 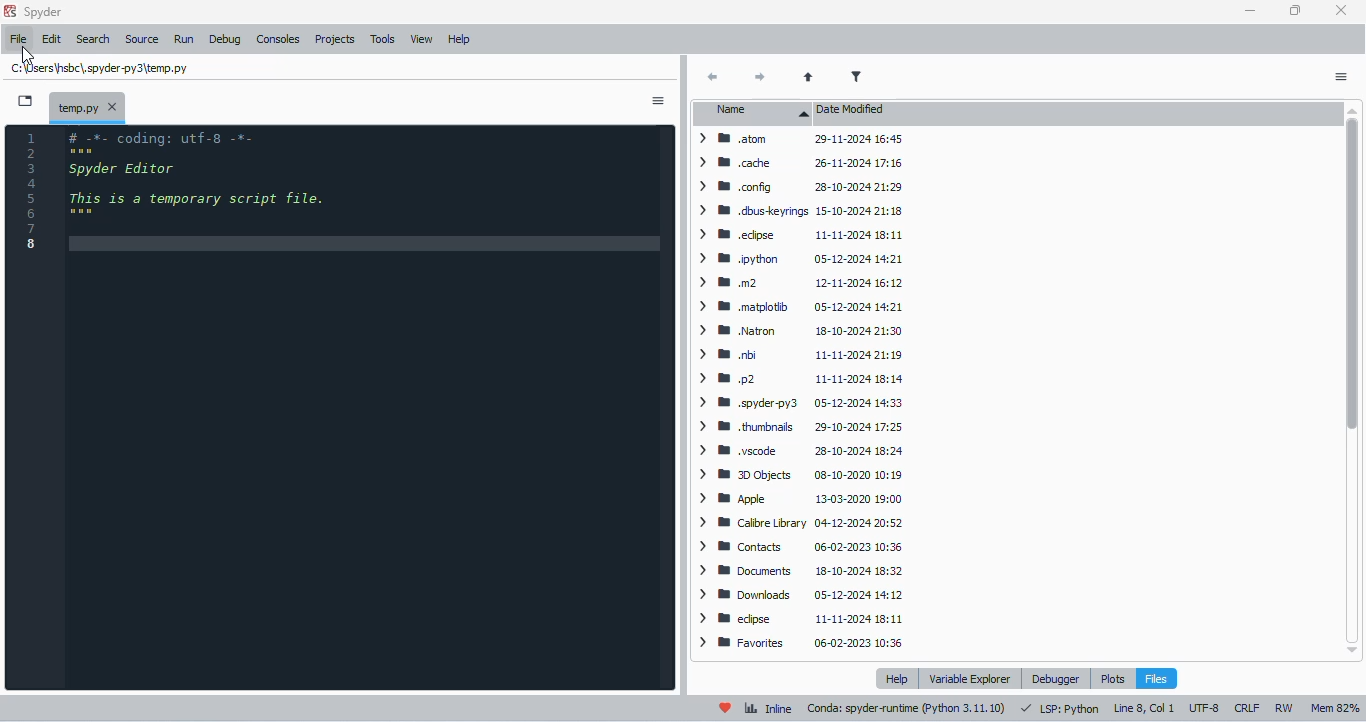 I want to click on options, so click(x=658, y=102).